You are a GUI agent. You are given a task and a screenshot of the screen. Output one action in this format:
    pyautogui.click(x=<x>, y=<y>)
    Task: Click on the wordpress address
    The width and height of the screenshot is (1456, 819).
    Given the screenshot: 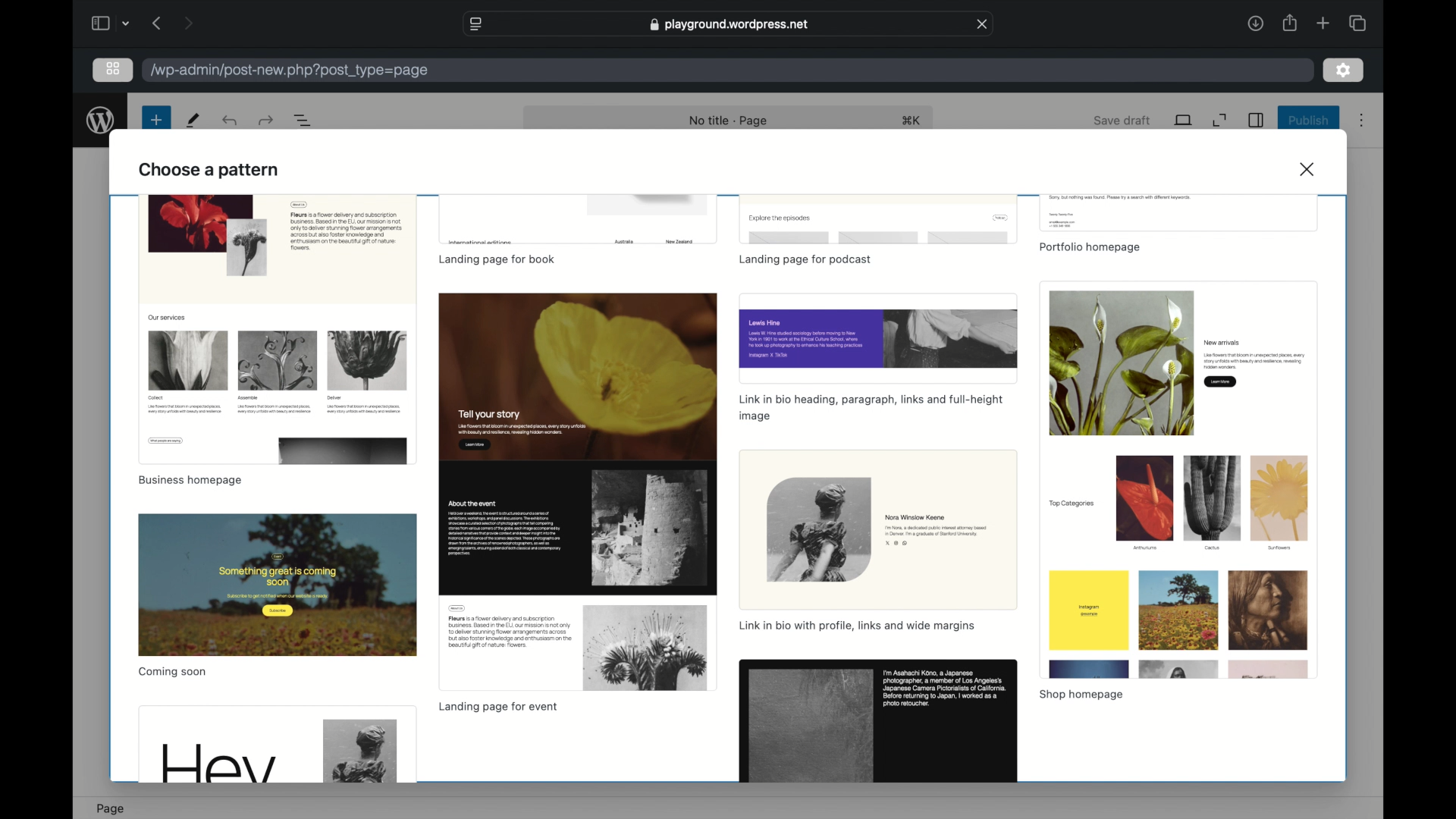 What is the action you would take?
    pyautogui.click(x=290, y=70)
    